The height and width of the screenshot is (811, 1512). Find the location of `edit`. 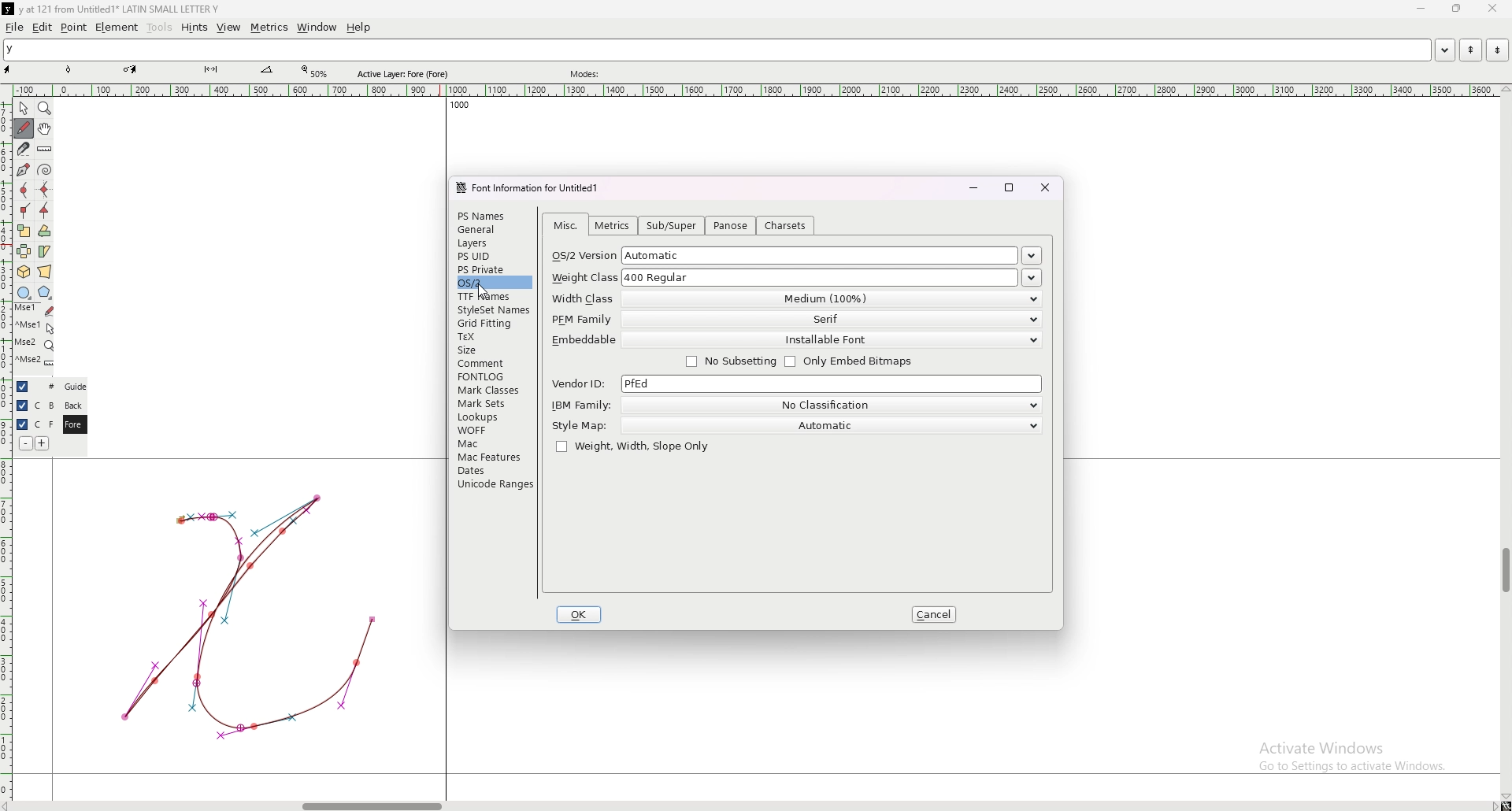

edit is located at coordinates (43, 28).